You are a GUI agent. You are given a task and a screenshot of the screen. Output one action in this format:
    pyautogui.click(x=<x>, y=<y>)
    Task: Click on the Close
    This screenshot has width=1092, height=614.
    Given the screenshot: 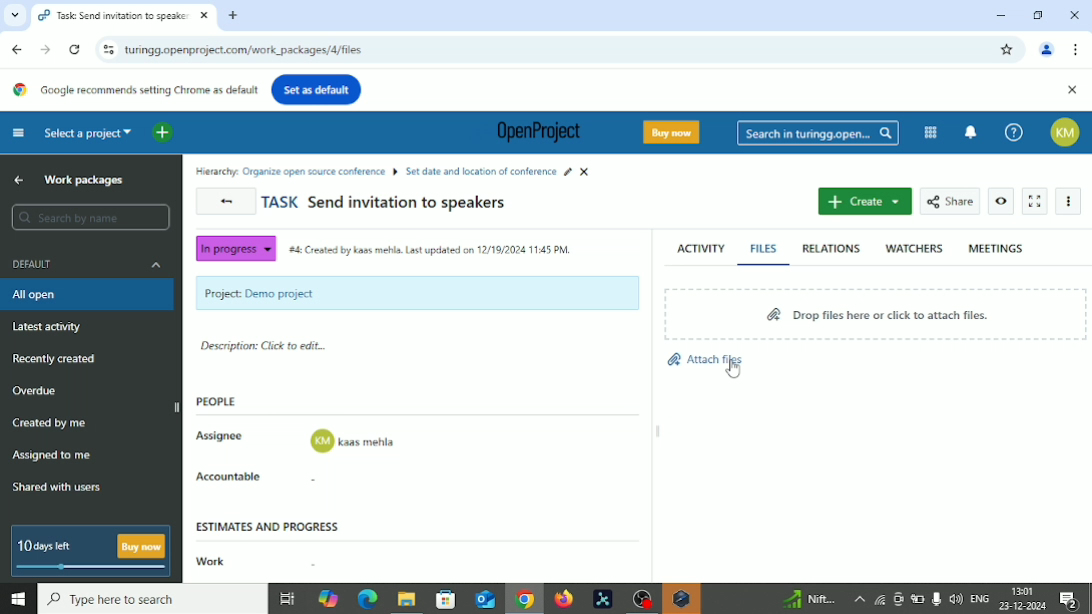 What is the action you would take?
    pyautogui.click(x=1072, y=91)
    